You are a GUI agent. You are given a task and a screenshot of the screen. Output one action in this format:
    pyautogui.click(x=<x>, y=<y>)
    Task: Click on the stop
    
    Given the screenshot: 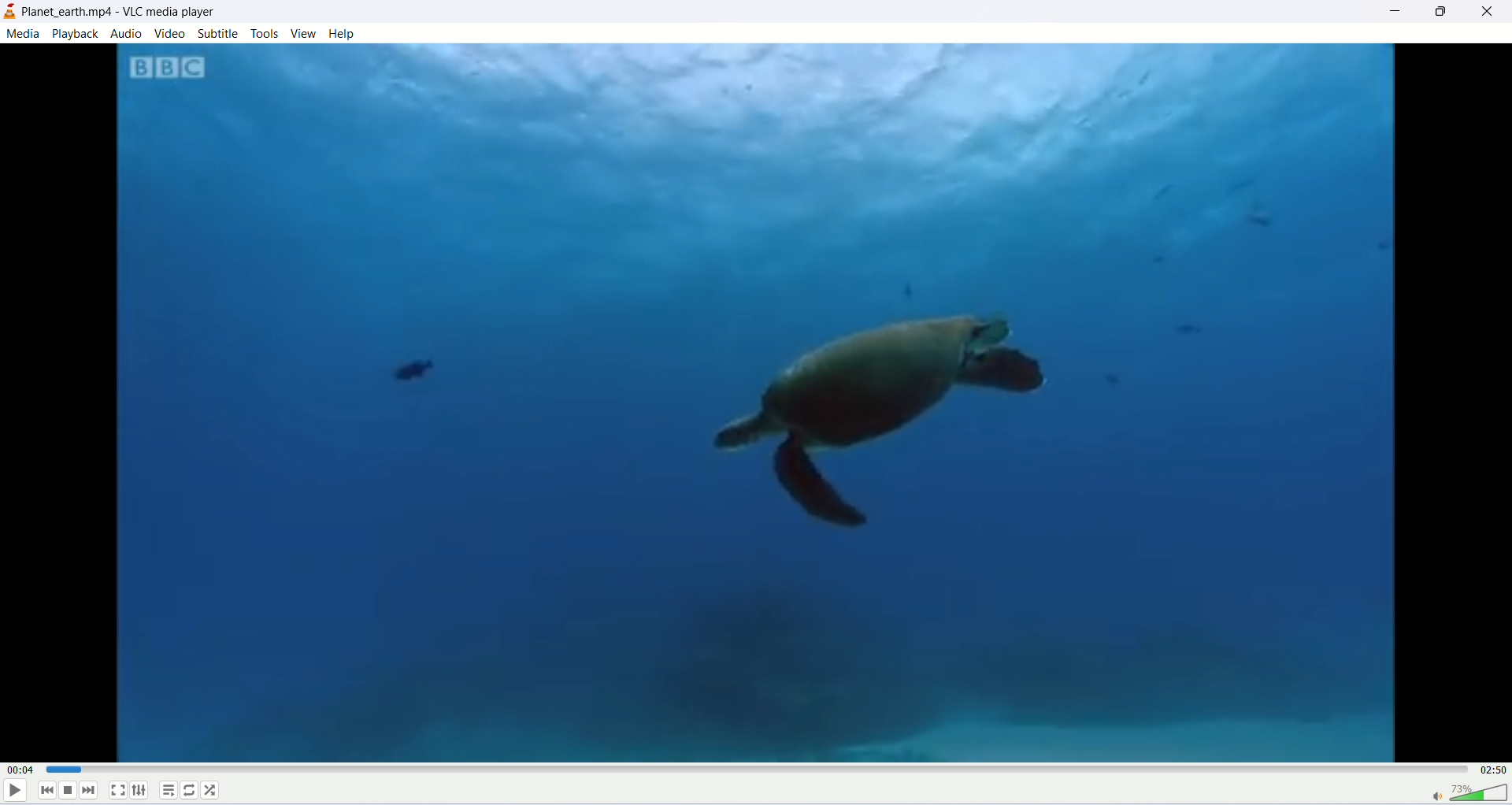 What is the action you would take?
    pyautogui.click(x=69, y=793)
    